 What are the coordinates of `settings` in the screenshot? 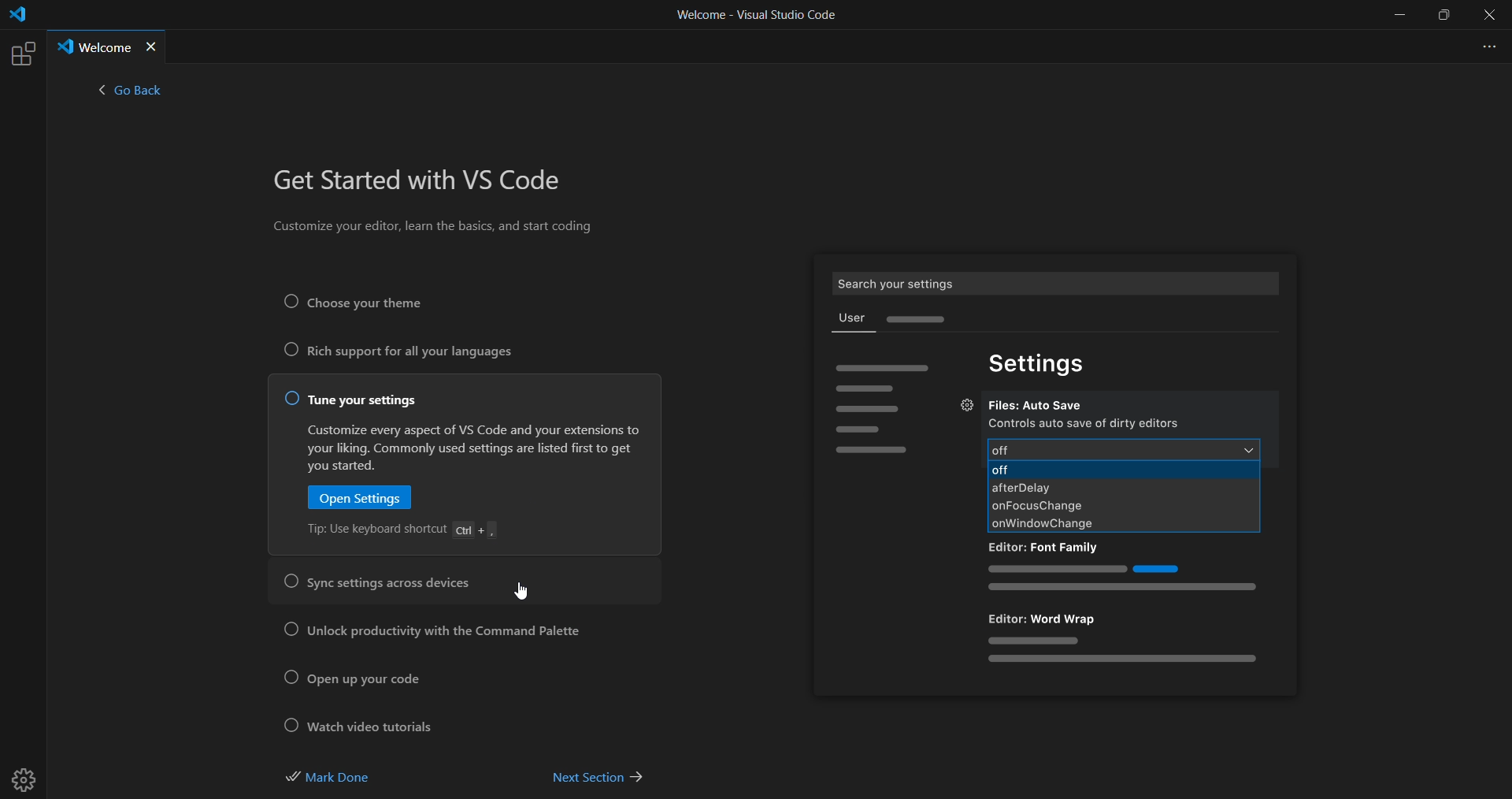 It's located at (28, 774).